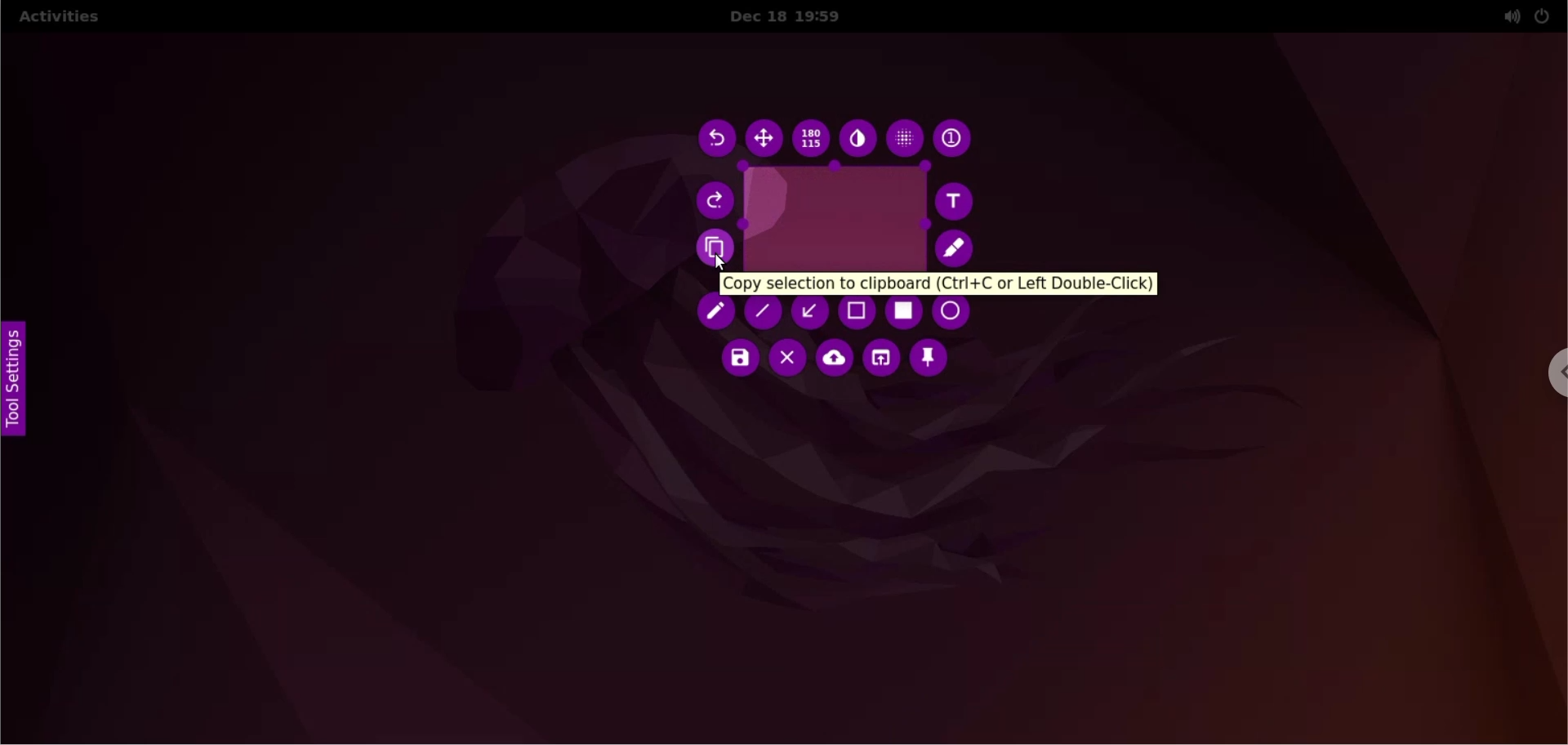 This screenshot has height=745, width=1568. What do you see at coordinates (715, 312) in the screenshot?
I see `pencil` at bounding box center [715, 312].